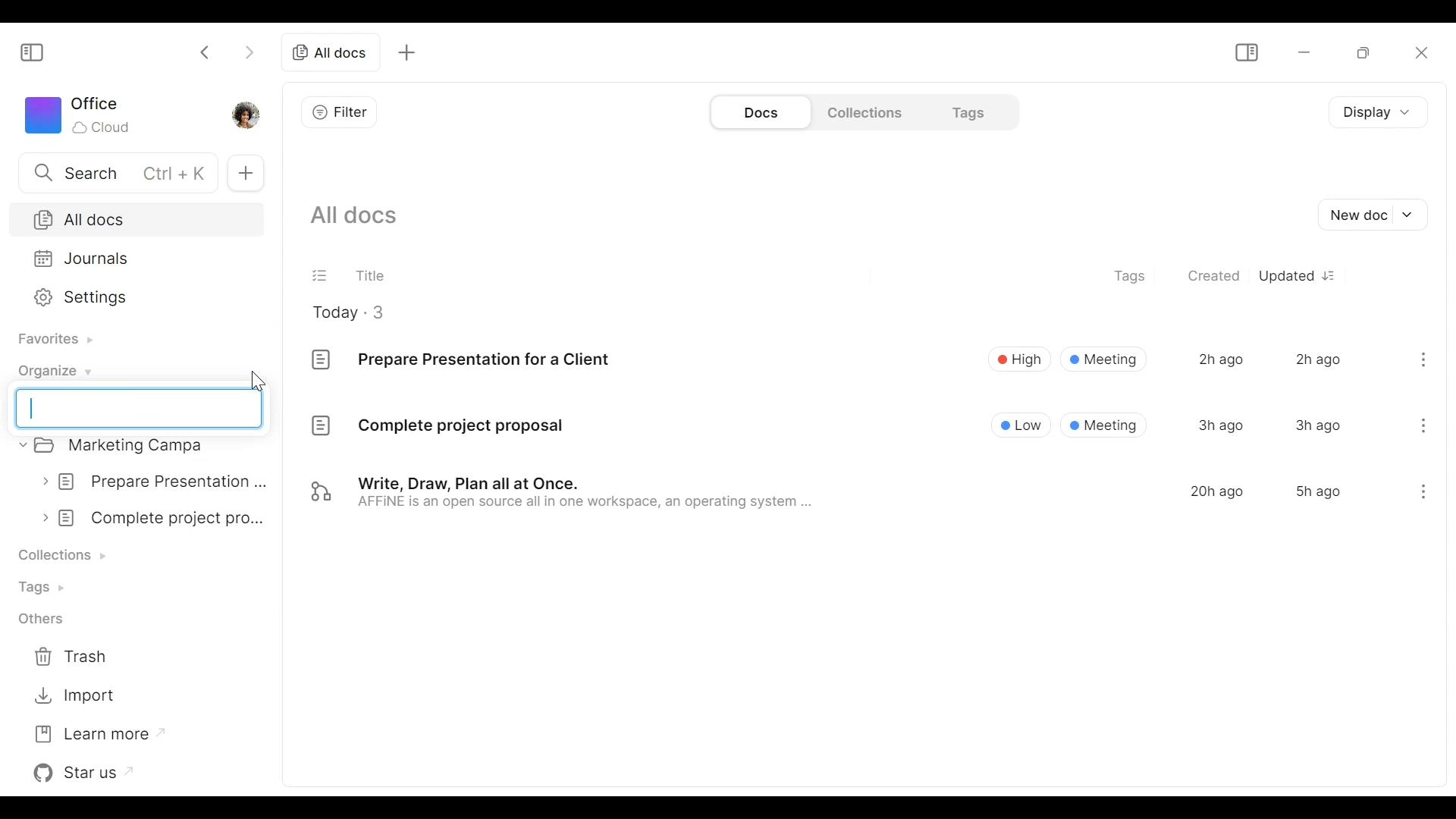  Describe the element at coordinates (1022, 424) in the screenshot. I see `Low` at that location.